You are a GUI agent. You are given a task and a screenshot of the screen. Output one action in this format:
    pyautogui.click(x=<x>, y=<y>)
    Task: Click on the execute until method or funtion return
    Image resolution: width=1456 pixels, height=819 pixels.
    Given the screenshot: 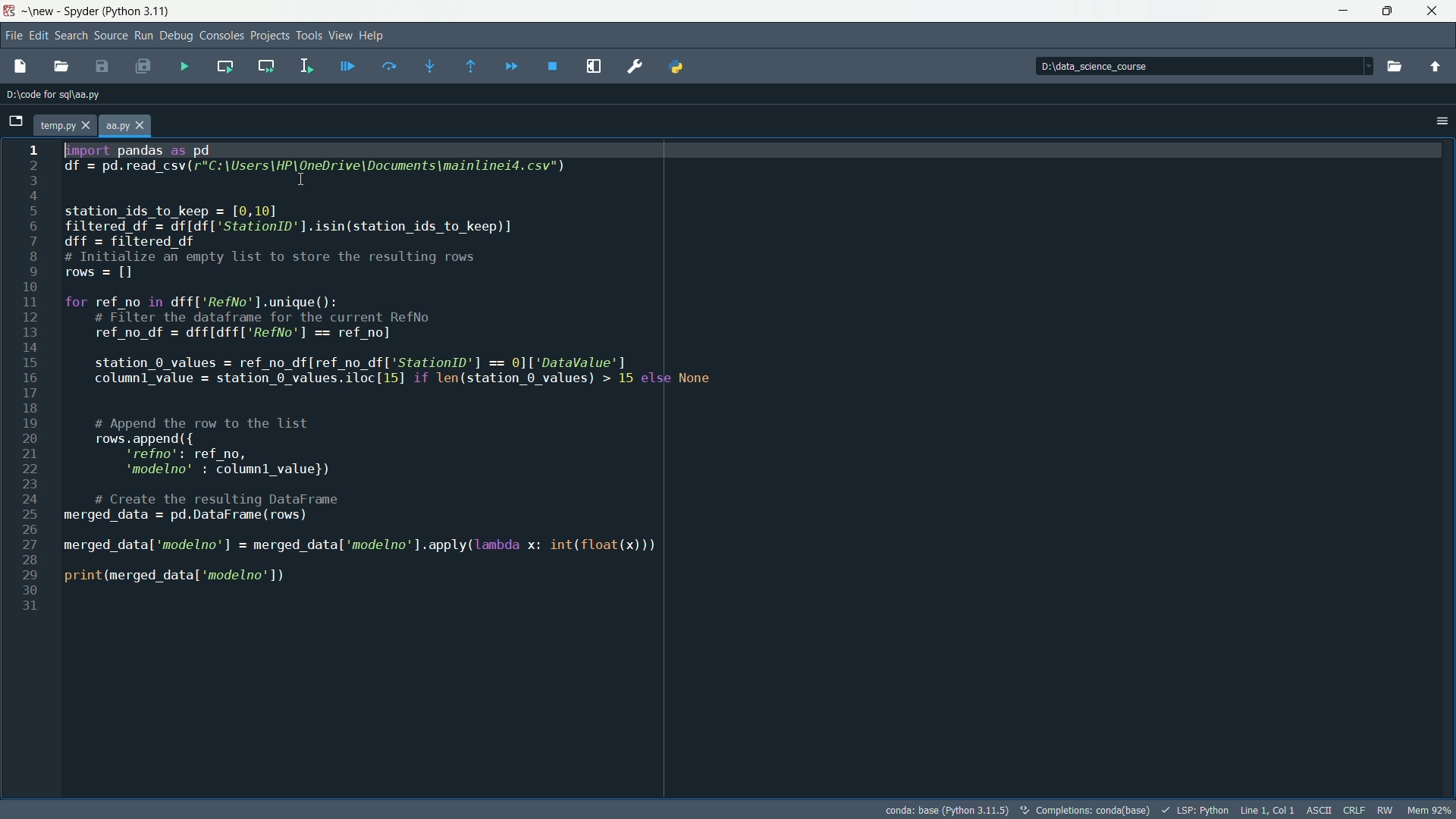 What is the action you would take?
    pyautogui.click(x=471, y=65)
    